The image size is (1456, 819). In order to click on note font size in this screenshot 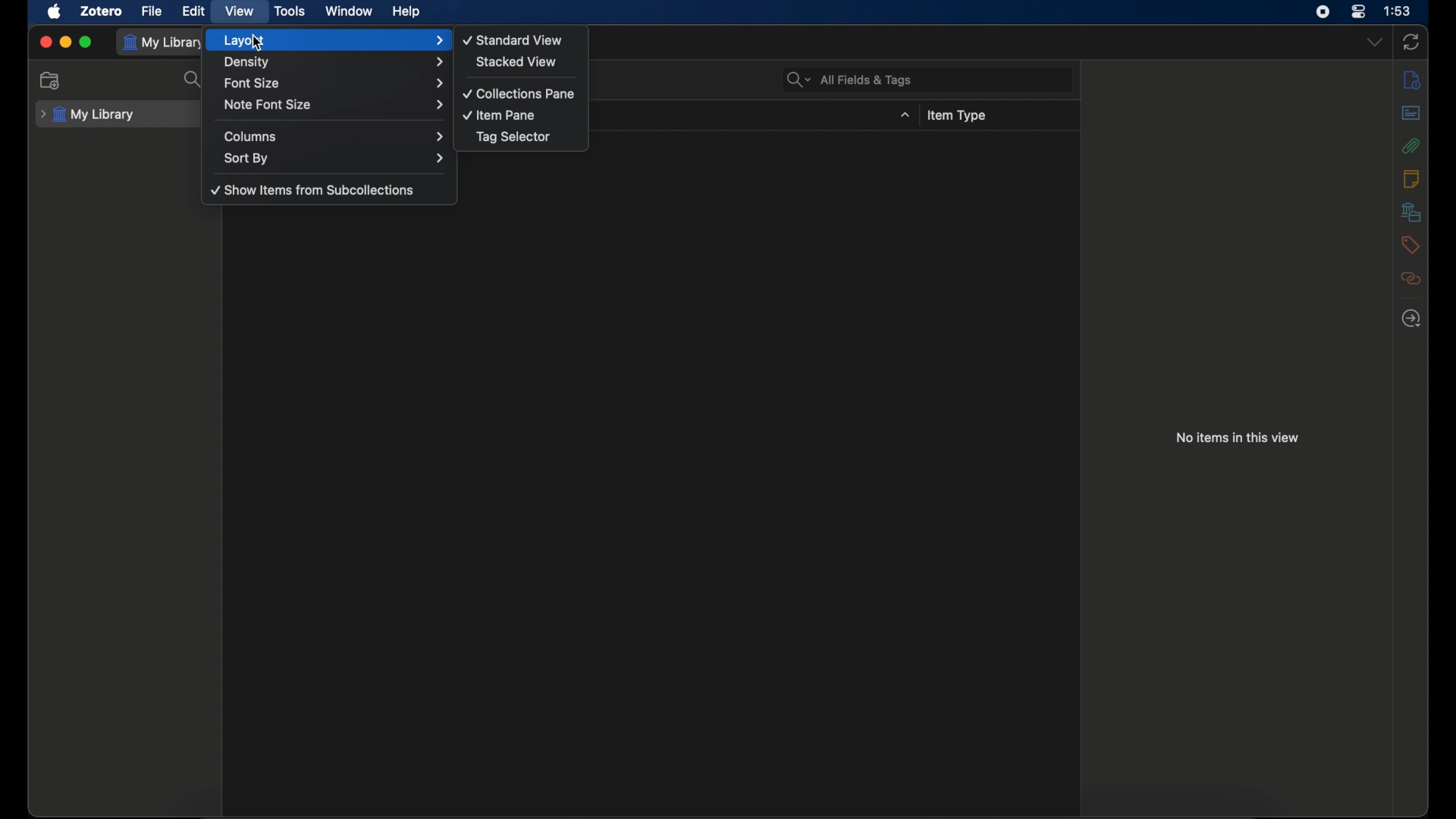, I will do `click(336, 105)`.